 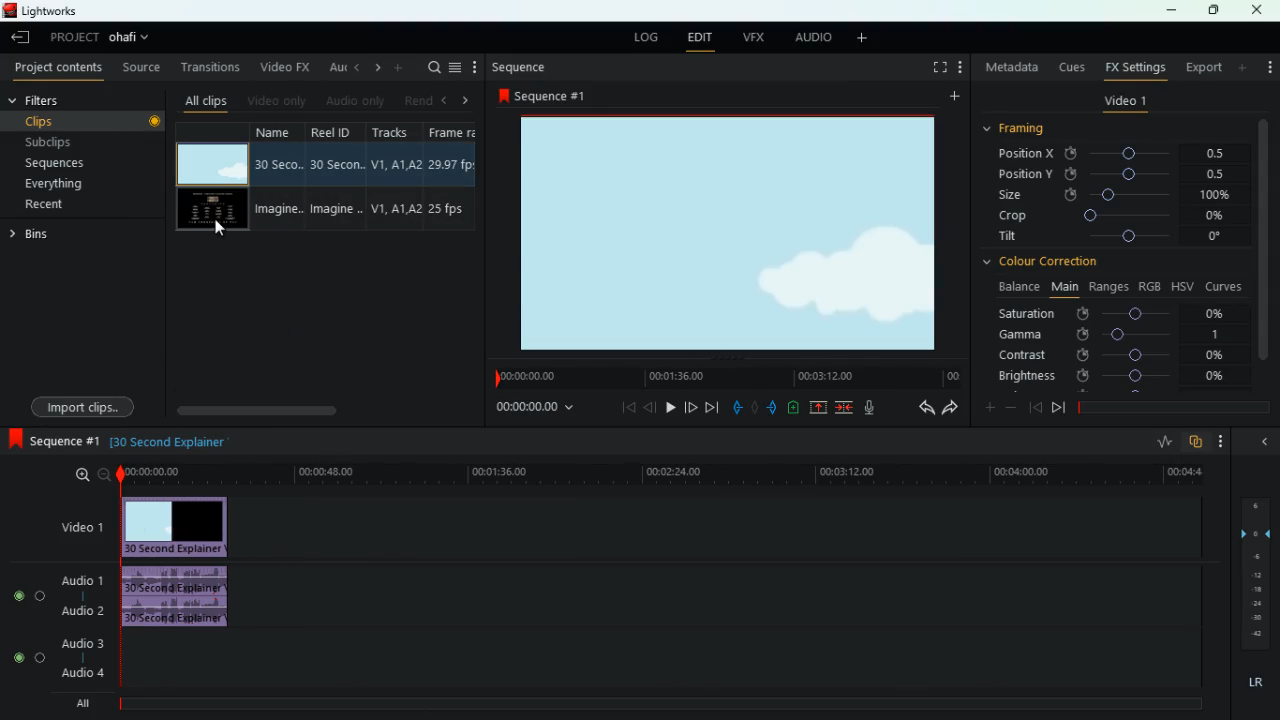 I want to click on metadata, so click(x=1012, y=67).